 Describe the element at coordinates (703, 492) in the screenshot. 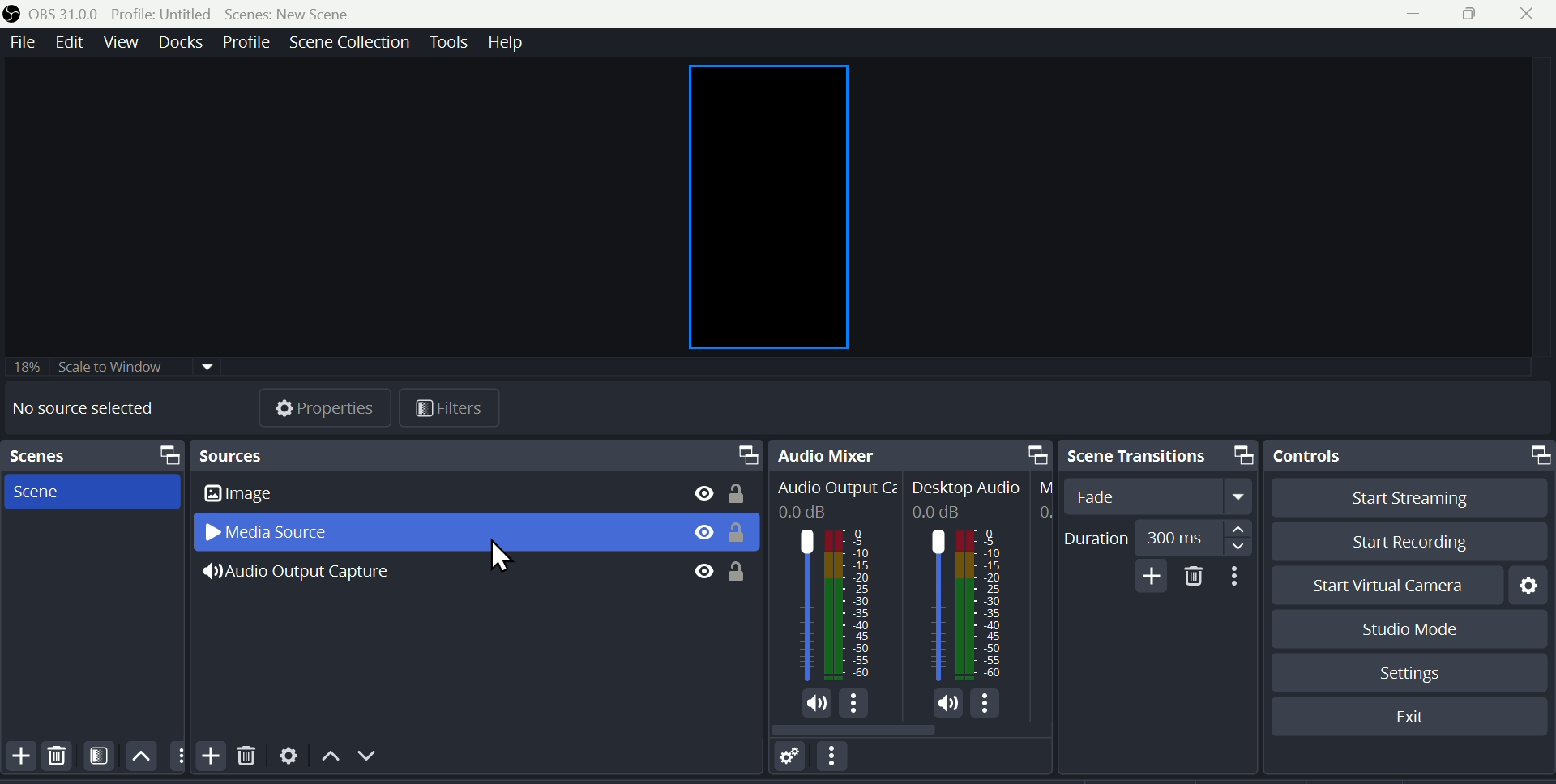

I see `Visibility` at that location.